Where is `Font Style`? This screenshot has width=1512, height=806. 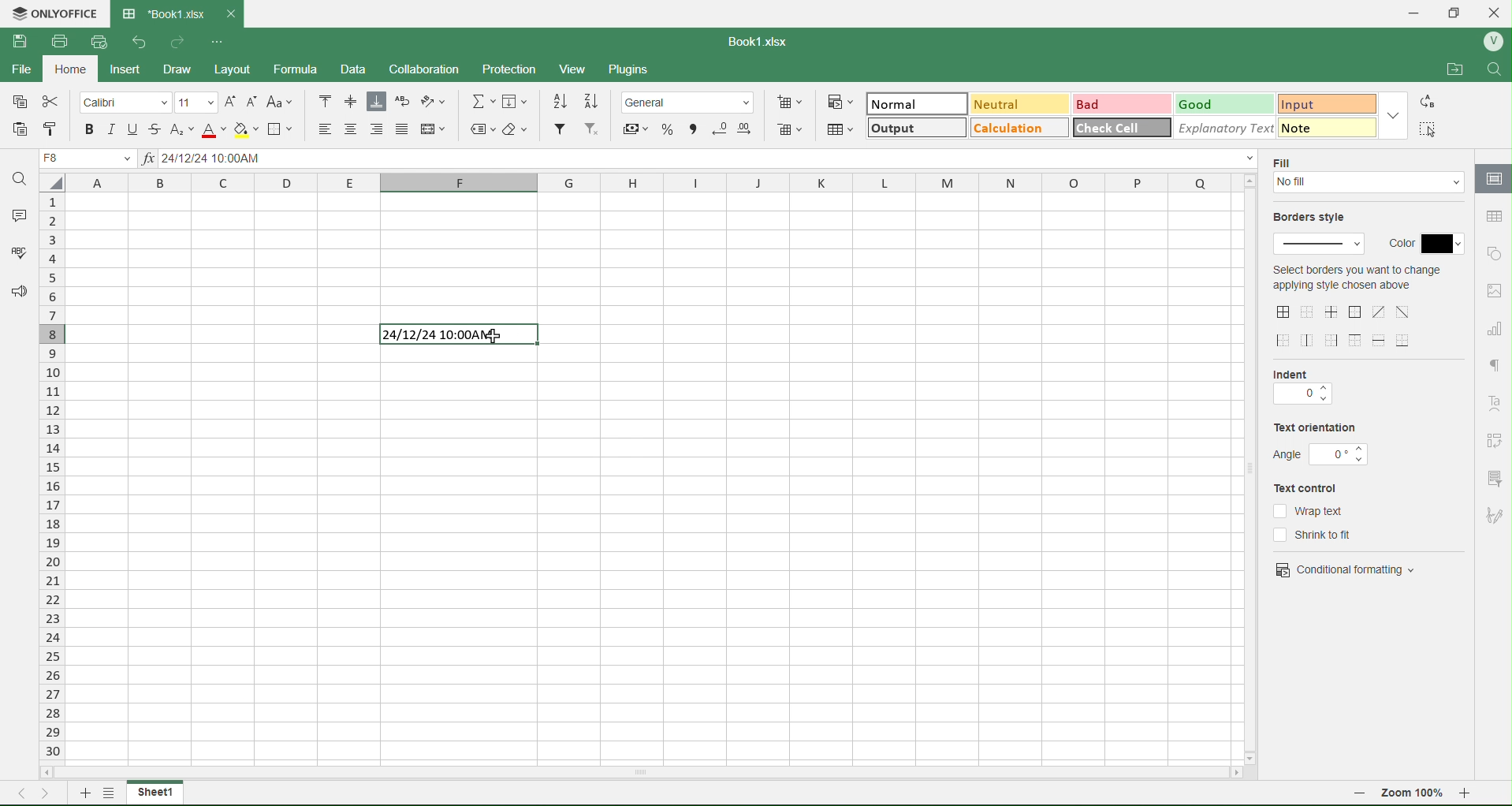
Font Style is located at coordinates (126, 102).